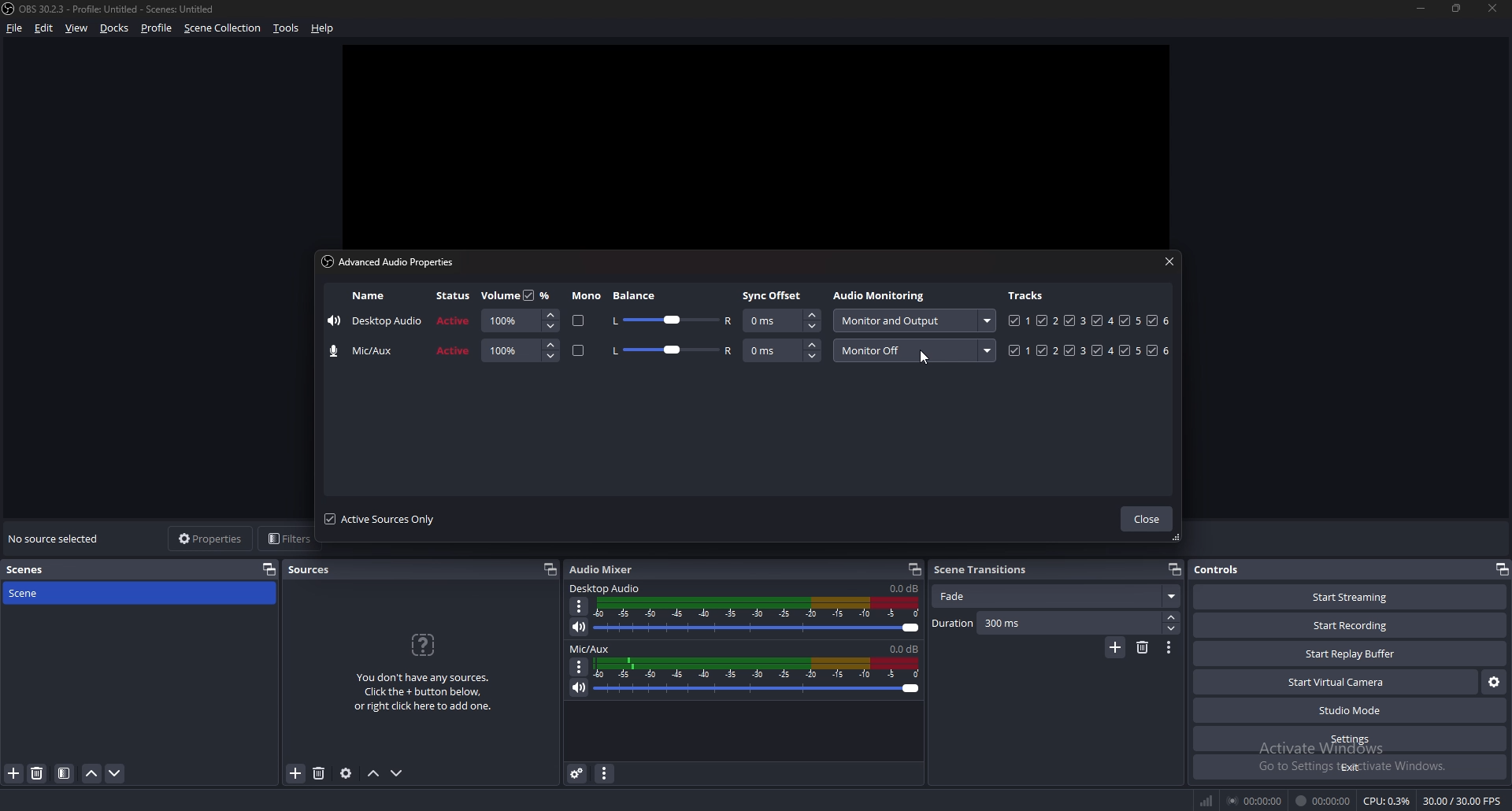 The width and height of the screenshot is (1512, 811). Describe the element at coordinates (548, 570) in the screenshot. I see `popout` at that location.